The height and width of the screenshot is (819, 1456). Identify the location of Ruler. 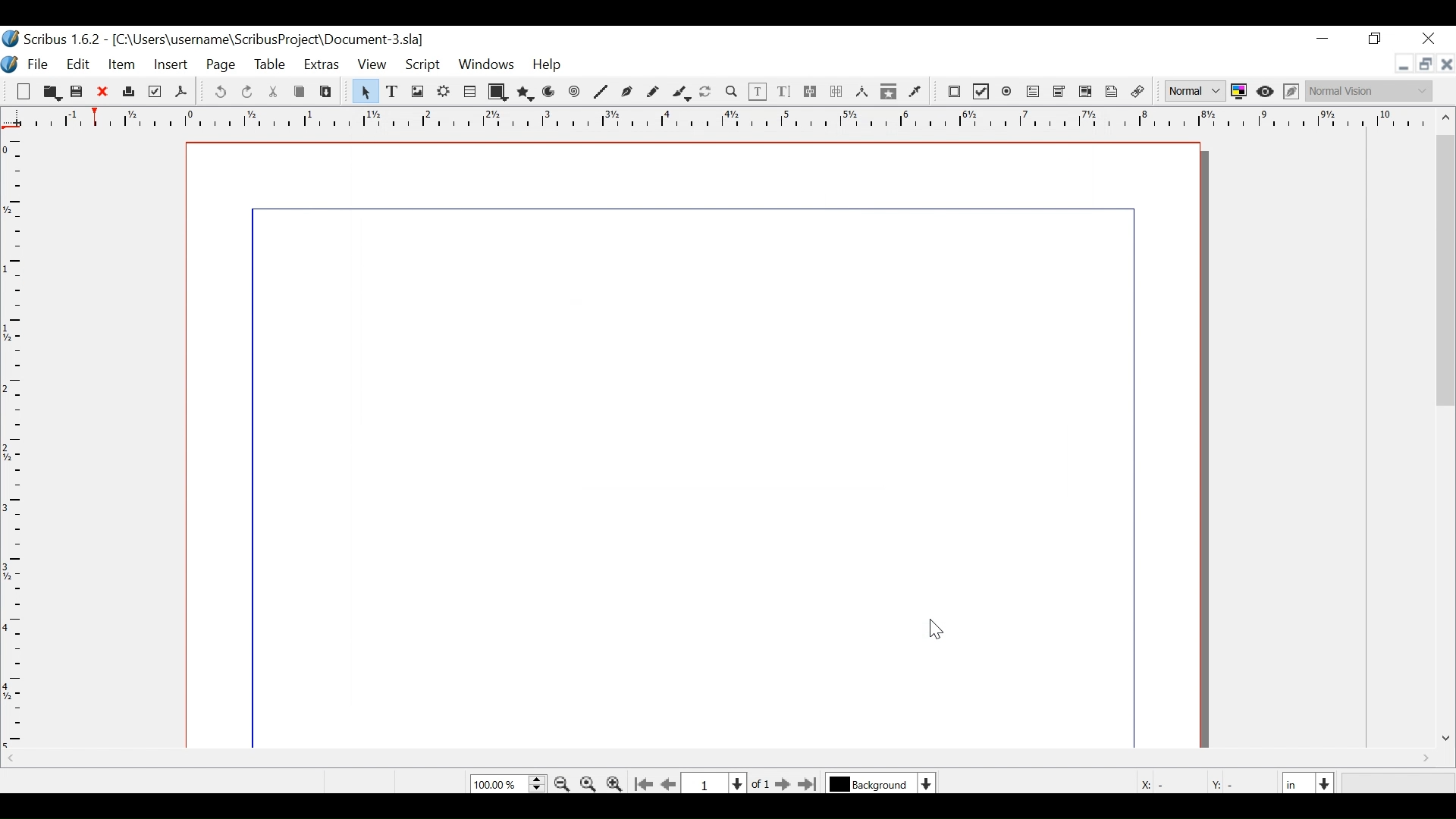
(721, 123).